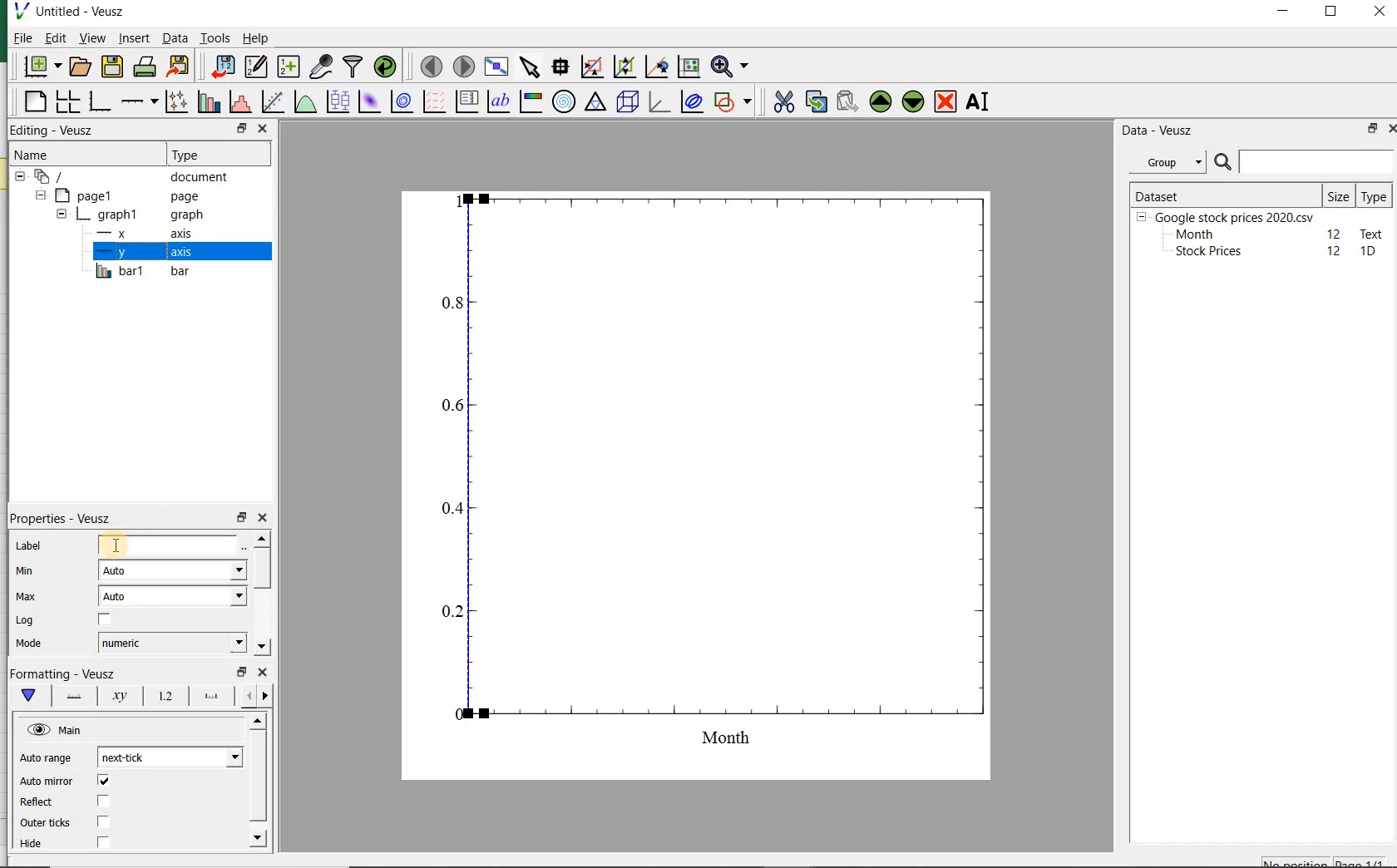 Image resolution: width=1397 pixels, height=868 pixels. Describe the element at coordinates (65, 673) in the screenshot. I see `Formatting - Veusz` at that location.